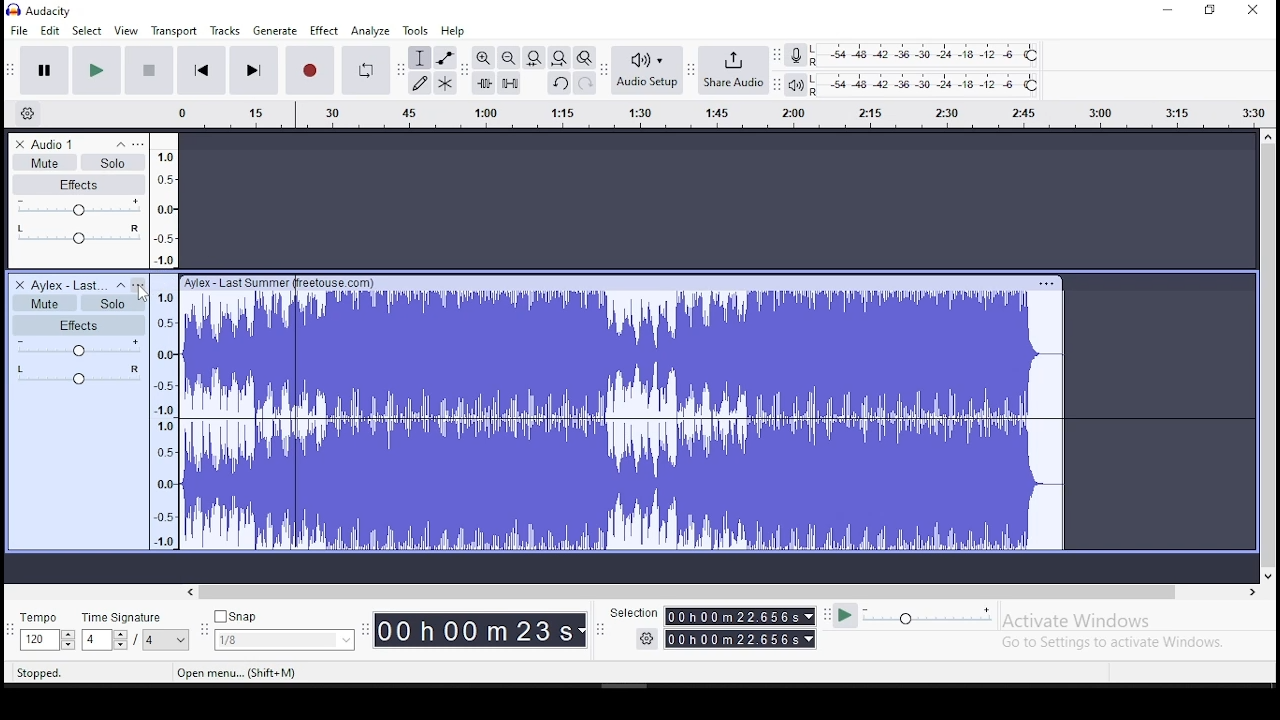 The width and height of the screenshot is (1280, 720). Describe the element at coordinates (943, 84) in the screenshot. I see `playback level` at that location.